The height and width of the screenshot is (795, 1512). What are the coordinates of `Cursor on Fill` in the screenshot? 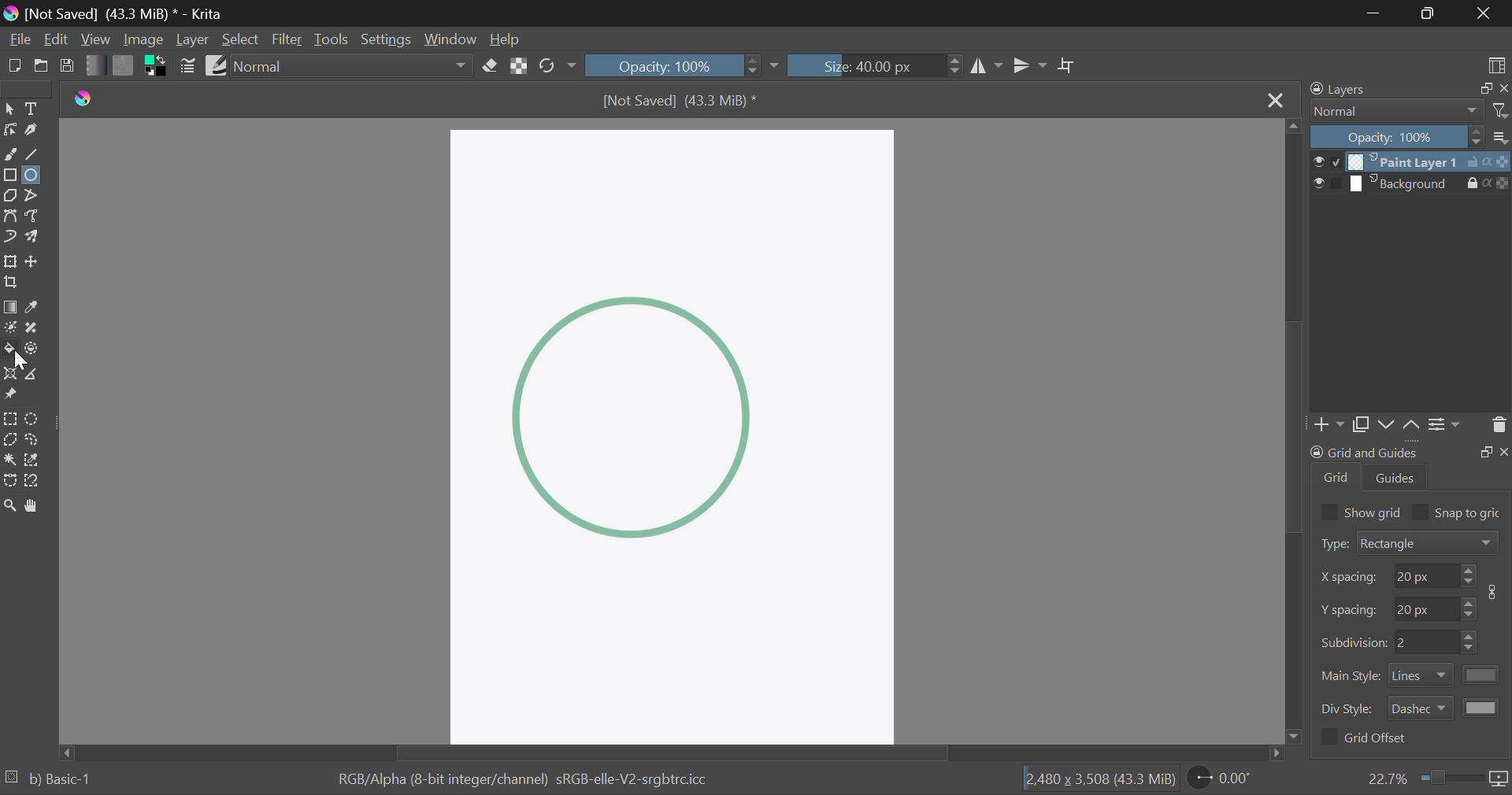 It's located at (11, 354).